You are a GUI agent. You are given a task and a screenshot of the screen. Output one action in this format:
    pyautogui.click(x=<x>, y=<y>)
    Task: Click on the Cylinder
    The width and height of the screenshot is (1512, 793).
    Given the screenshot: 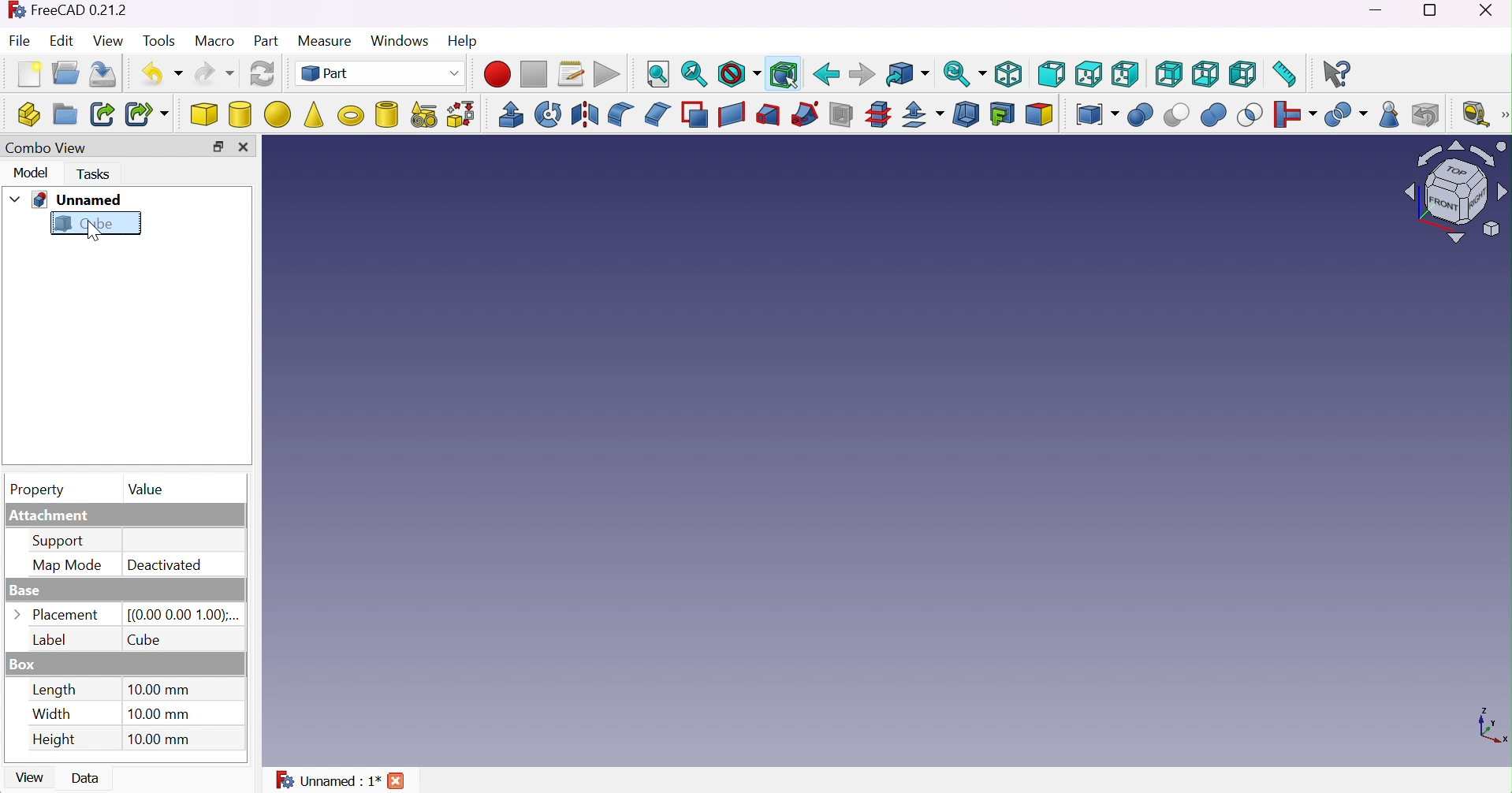 What is the action you would take?
    pyautogui.click(x=240, y=115)
    